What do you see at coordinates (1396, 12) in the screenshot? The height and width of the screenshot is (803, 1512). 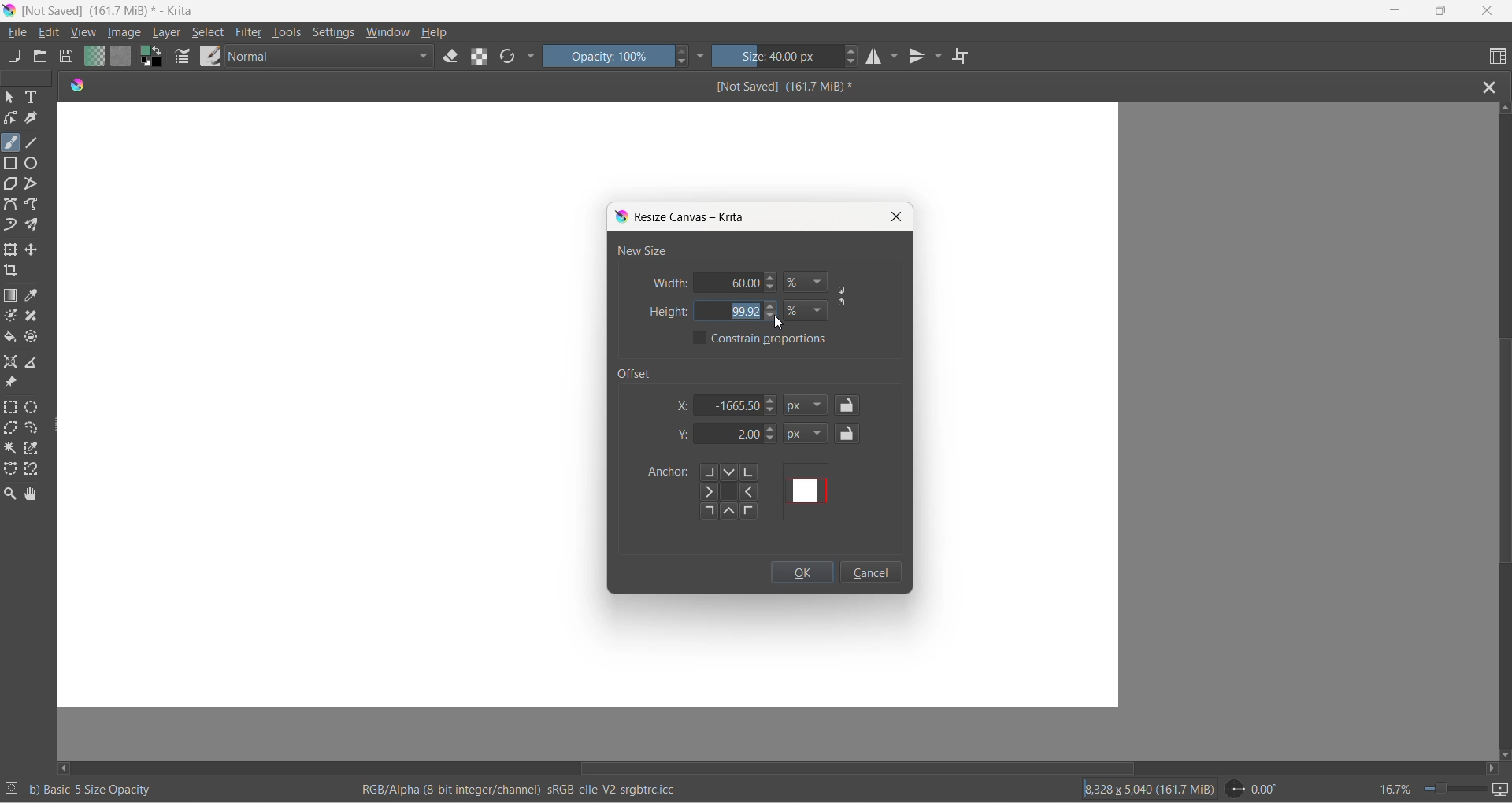 I see `minimize` at bounding box center [1396, 12].